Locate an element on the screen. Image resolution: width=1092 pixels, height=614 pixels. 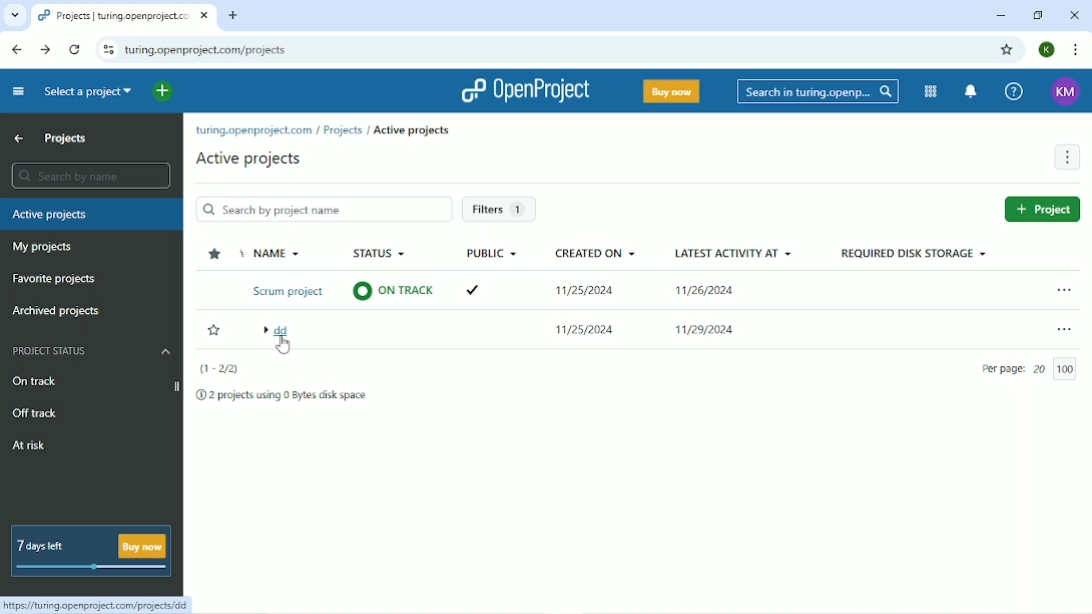
Favorite projects is located at coordinates (56, 279).